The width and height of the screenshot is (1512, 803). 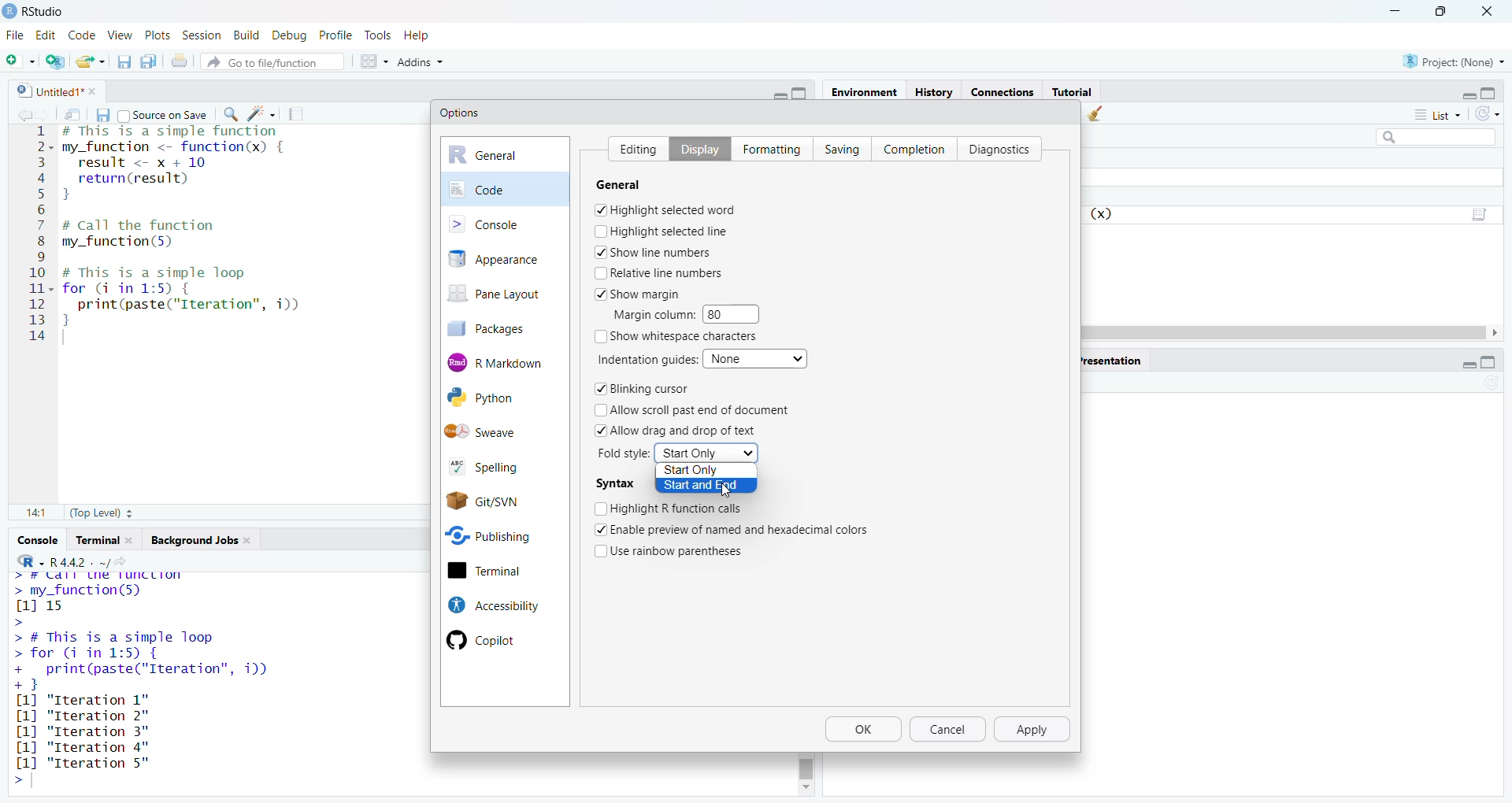 What do you see at coordinates (1073, 91) in the screenshot?
I see `Tutorial` at bounding box center [1073, 91].